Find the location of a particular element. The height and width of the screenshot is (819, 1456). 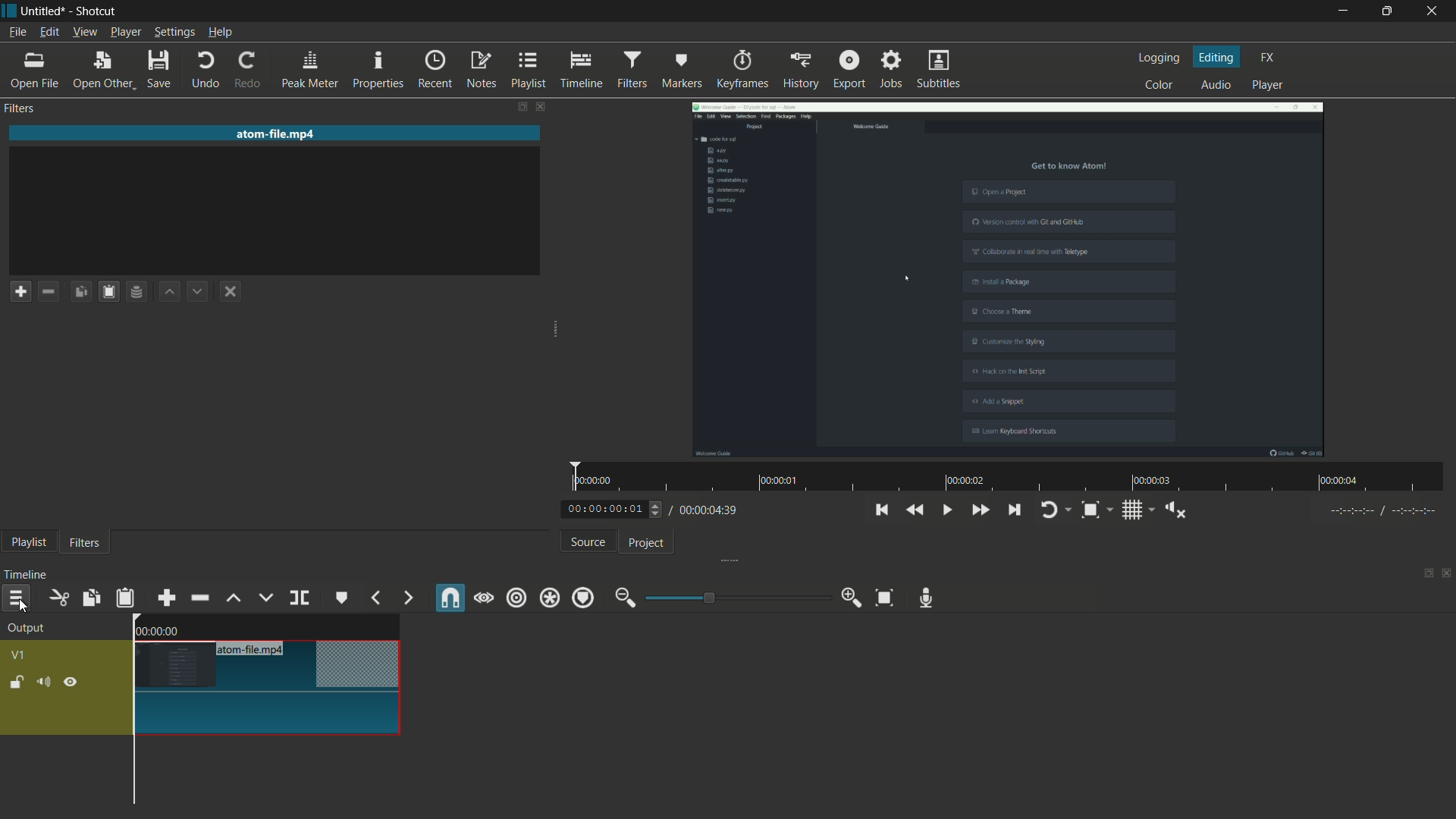

output is located at coordinates (26, 629).